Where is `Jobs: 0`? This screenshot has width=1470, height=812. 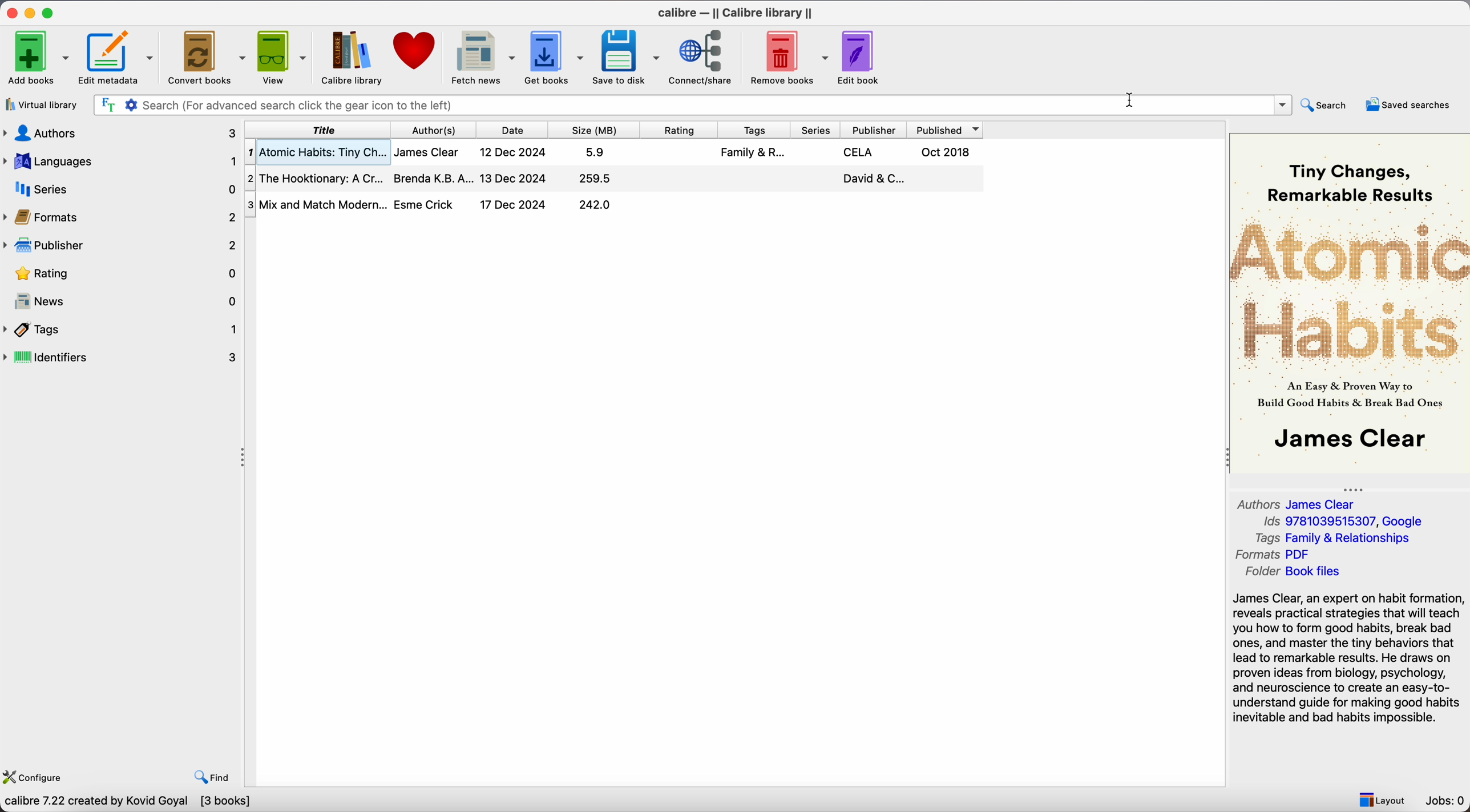 Jobs: 0 is located at coordinates (1447, 802).